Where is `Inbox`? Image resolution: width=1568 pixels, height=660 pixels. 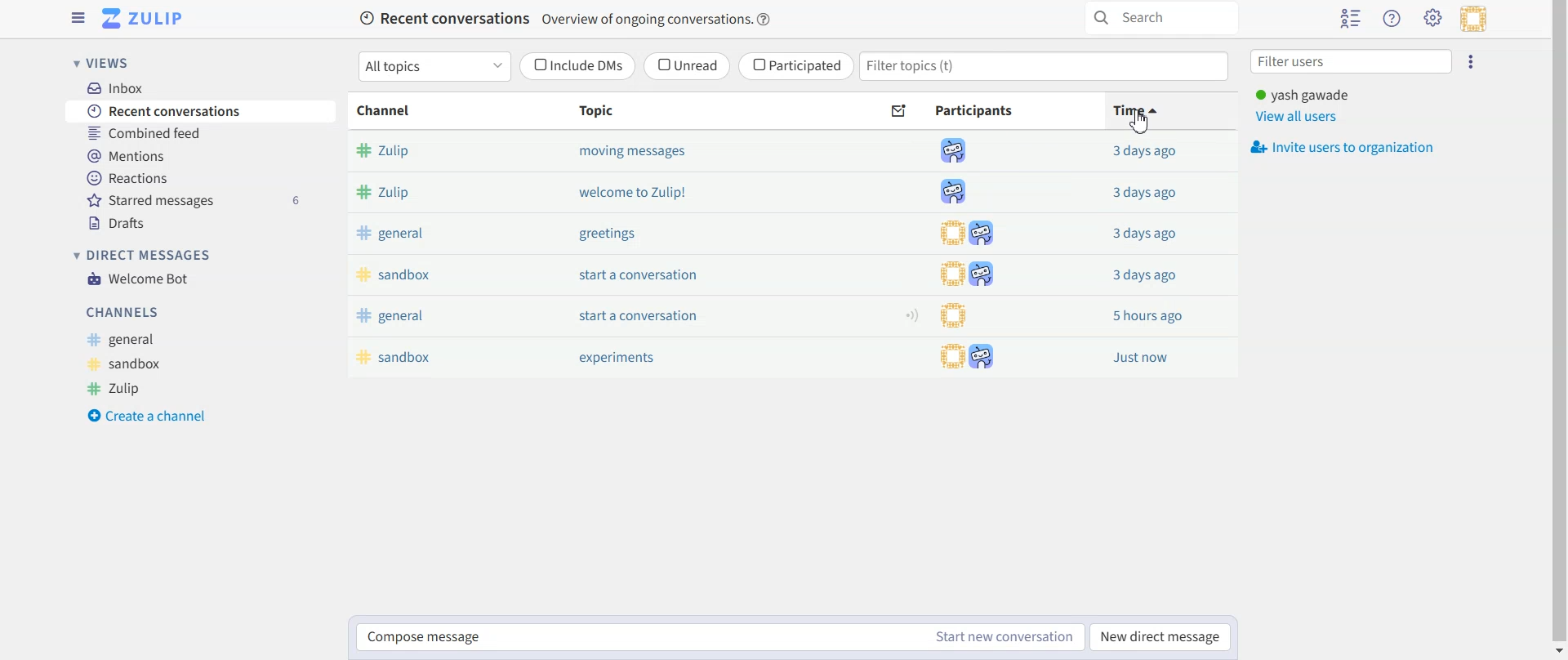 Inbox is located at coordinates (200, 87).